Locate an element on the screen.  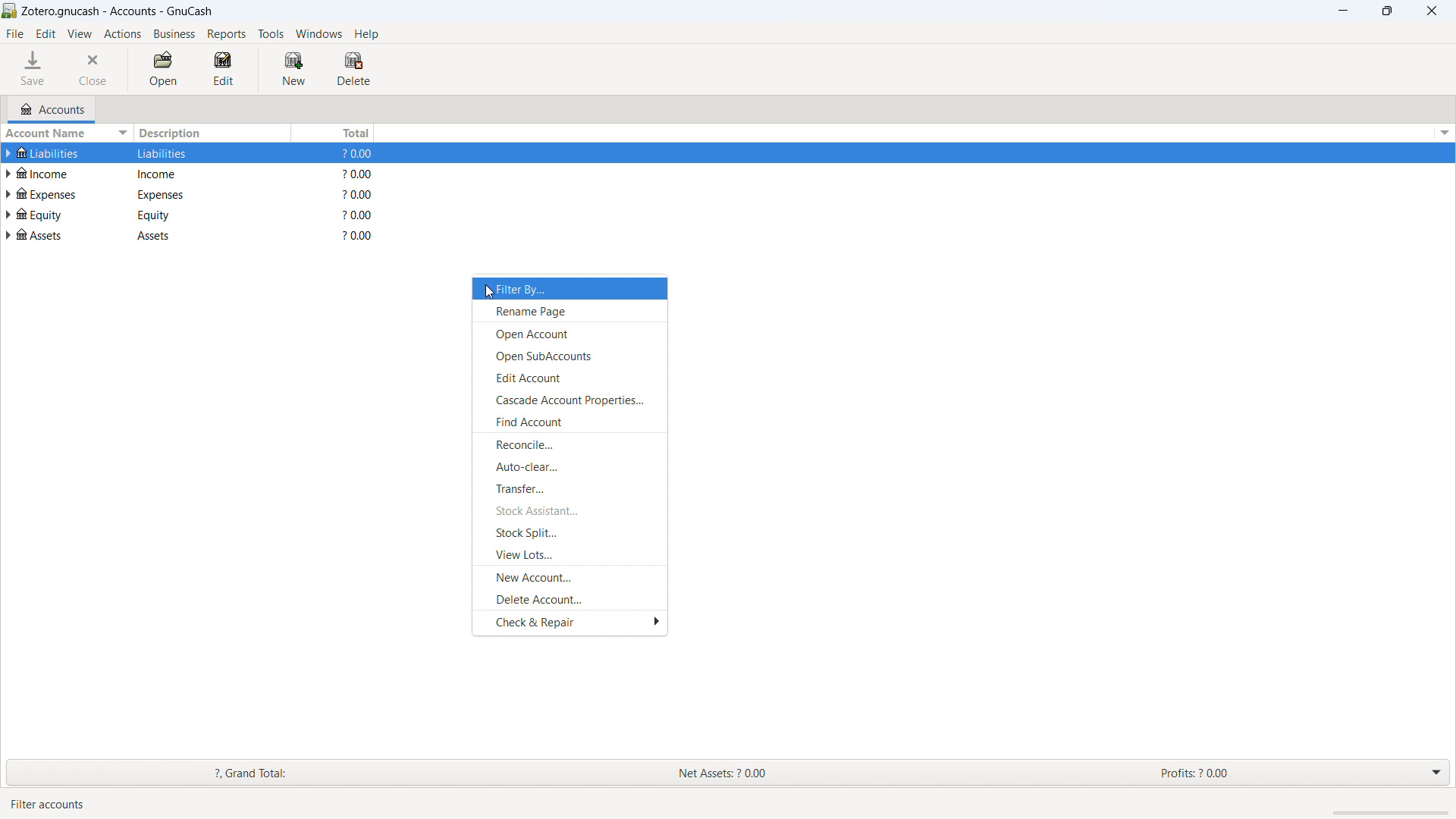
Liabilities is located at coordinates (59, 153).